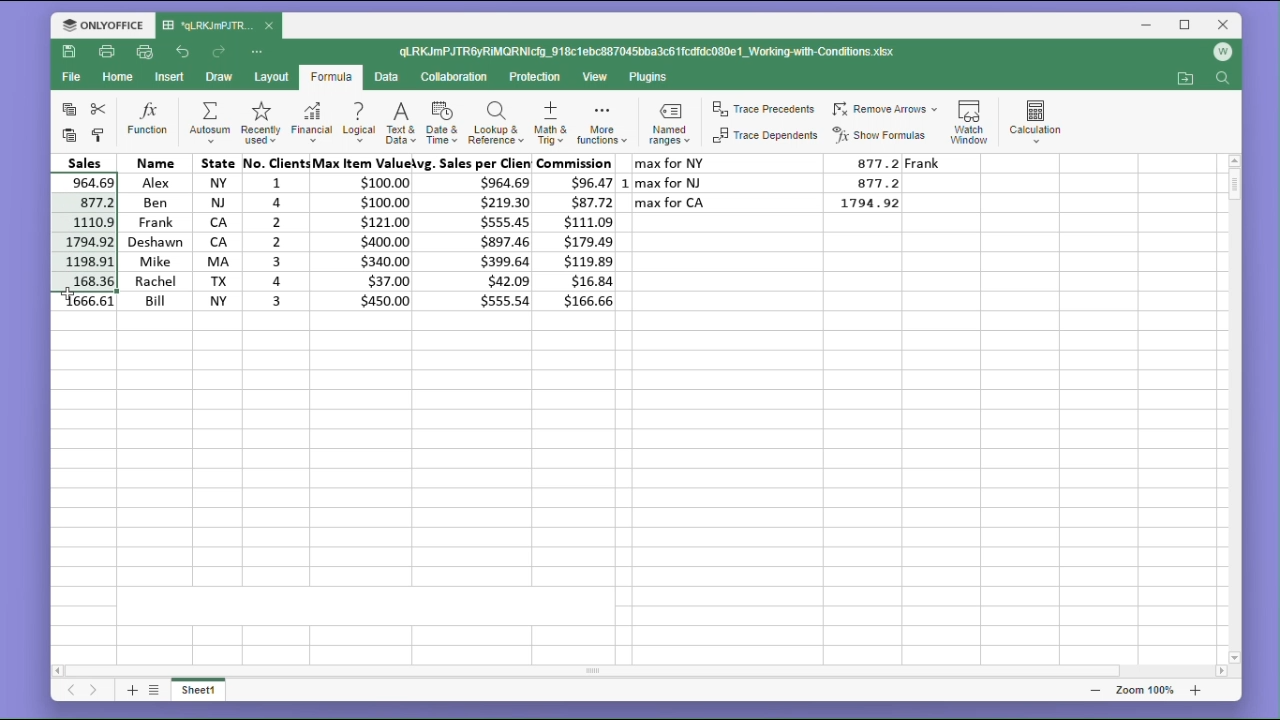 Image resolution: width=1280 pixels, height=720 pixels. Describe the element at coordinates (649, 77) in the screenshot. I see `plugins` at that location.